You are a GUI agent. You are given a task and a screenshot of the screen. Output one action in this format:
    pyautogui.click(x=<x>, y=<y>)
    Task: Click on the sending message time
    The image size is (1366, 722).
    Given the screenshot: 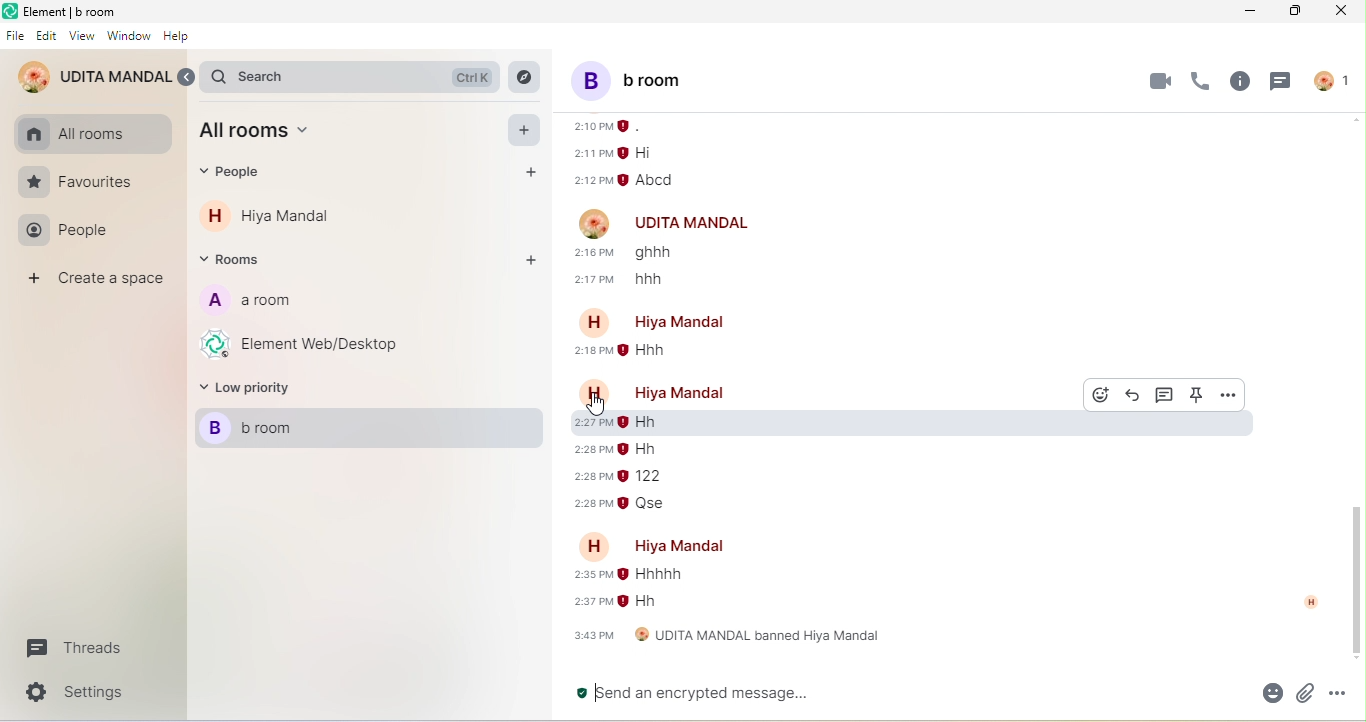 What is the action you would take?
    pyautogui.click(x=591, y=426)
    